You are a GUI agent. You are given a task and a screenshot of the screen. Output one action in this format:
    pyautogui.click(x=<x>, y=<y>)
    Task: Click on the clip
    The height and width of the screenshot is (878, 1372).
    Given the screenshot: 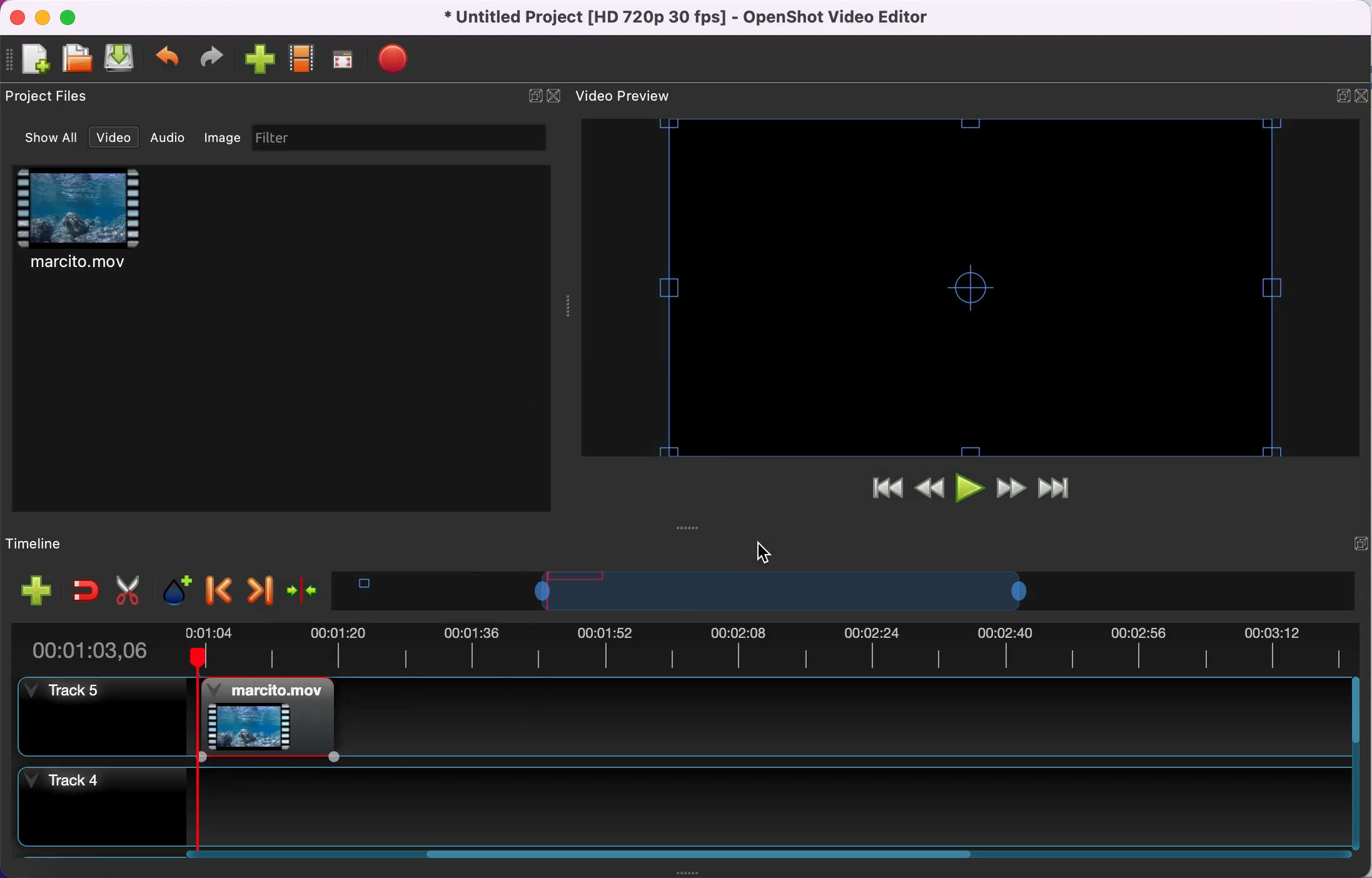 What is the action you would take?
    pyautogui.click(x=96, y=223)
    